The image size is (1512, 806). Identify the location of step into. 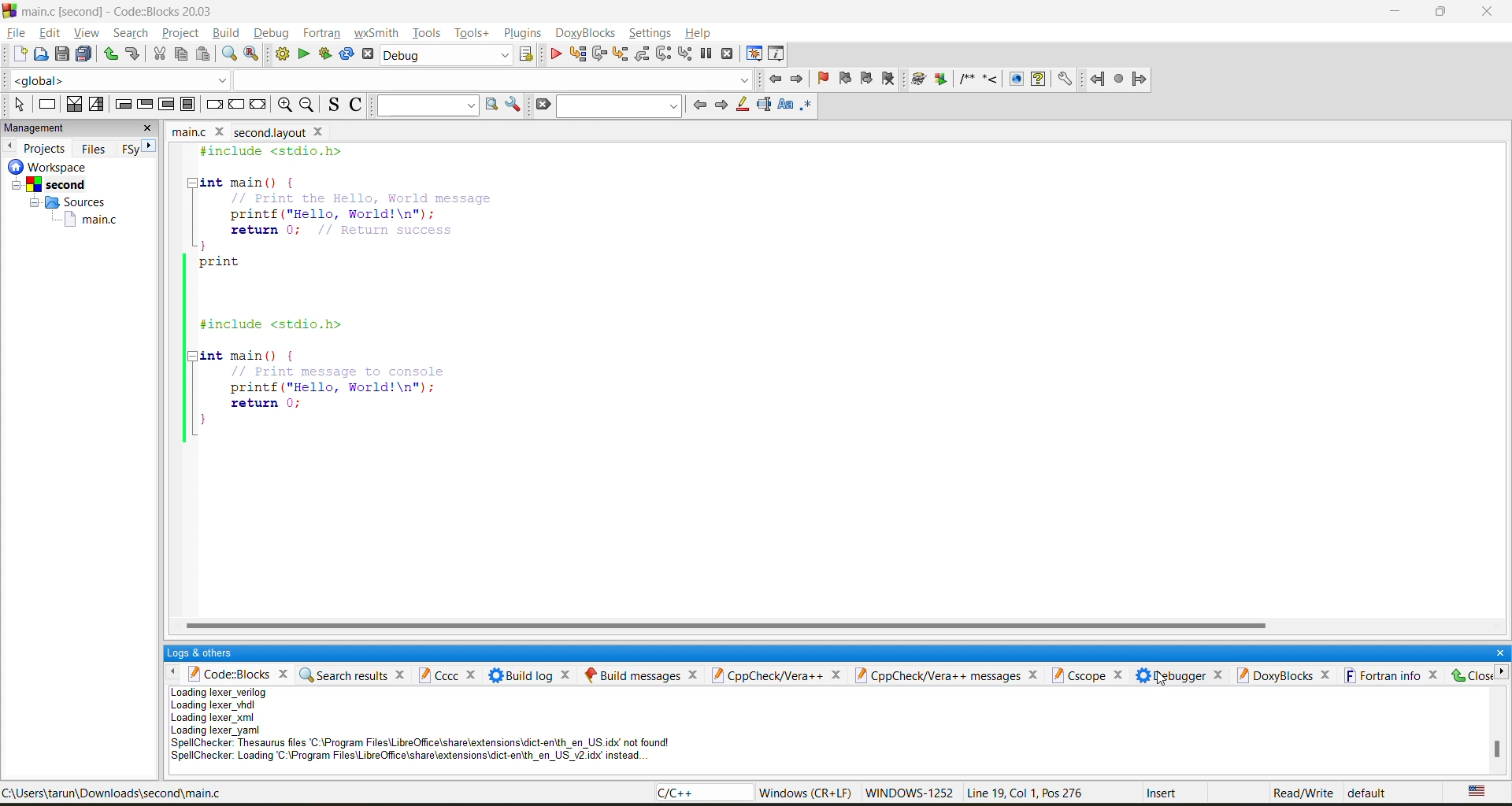
(621, 54).